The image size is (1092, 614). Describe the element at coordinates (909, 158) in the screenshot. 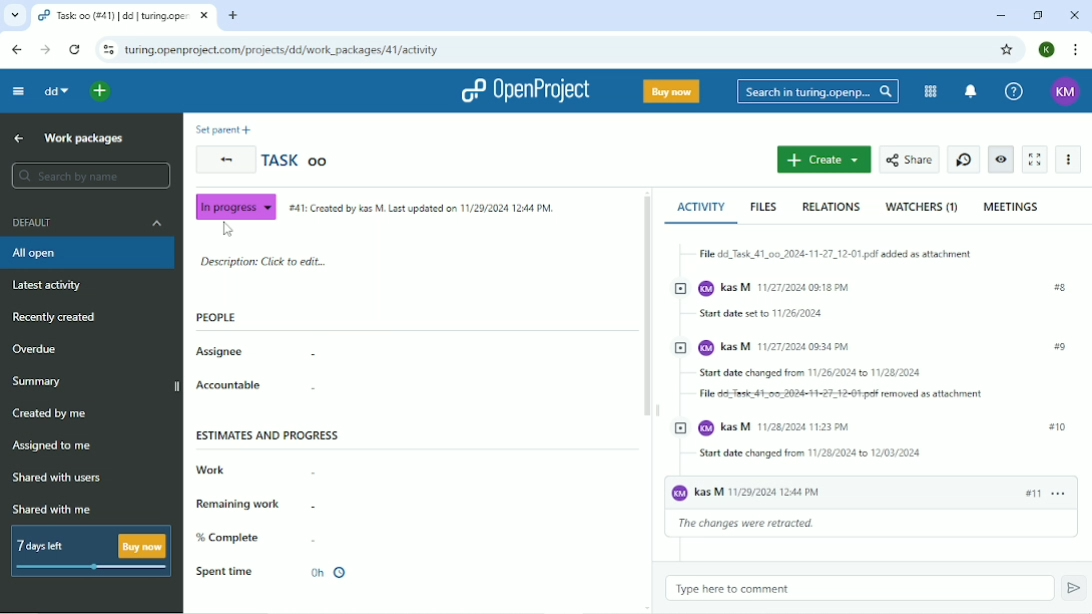

I see `Share` at that location.